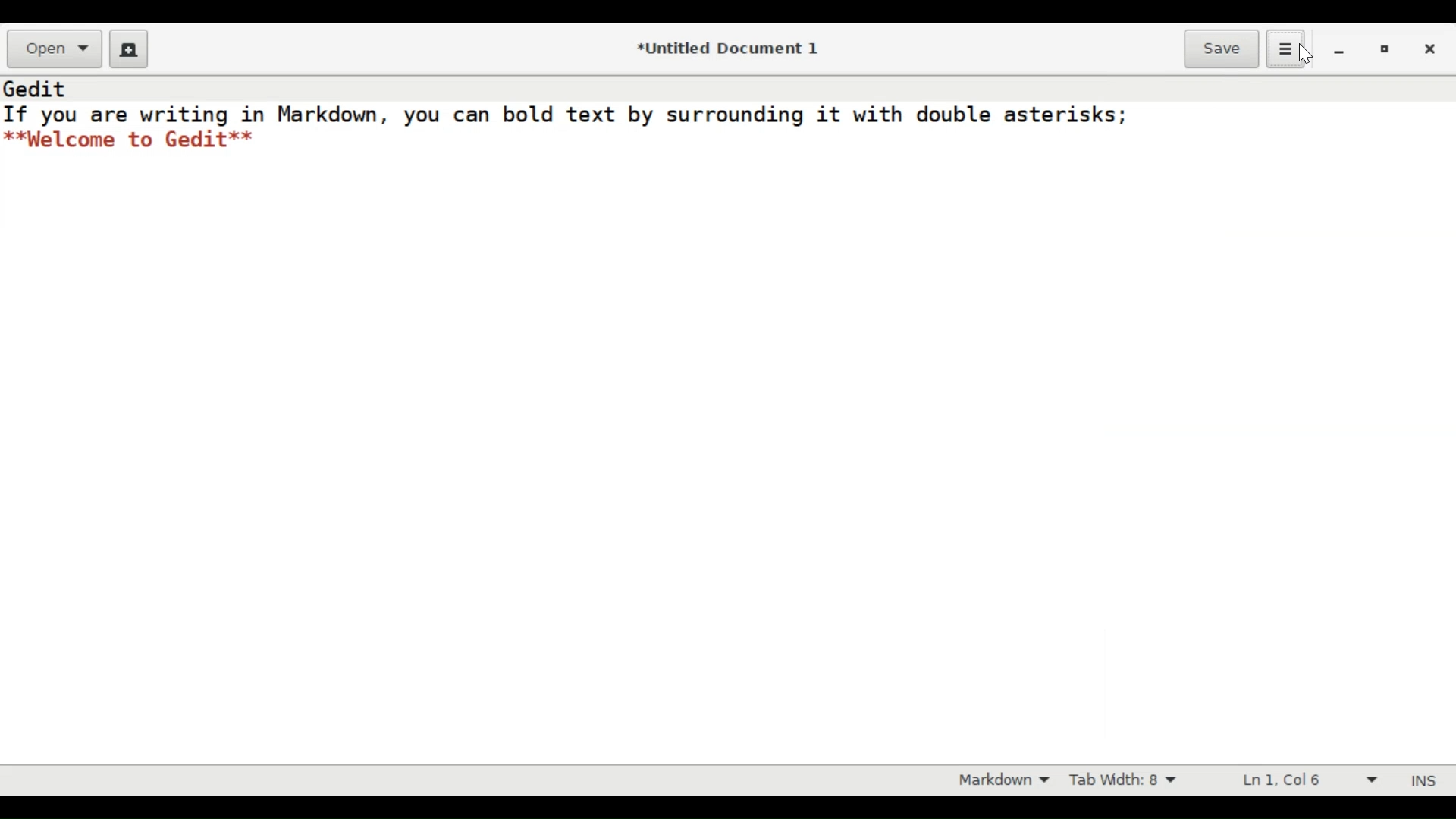 The height and width of the screenshot is (819, 1456). I want to click on Tab Width, so click(1128, 780).